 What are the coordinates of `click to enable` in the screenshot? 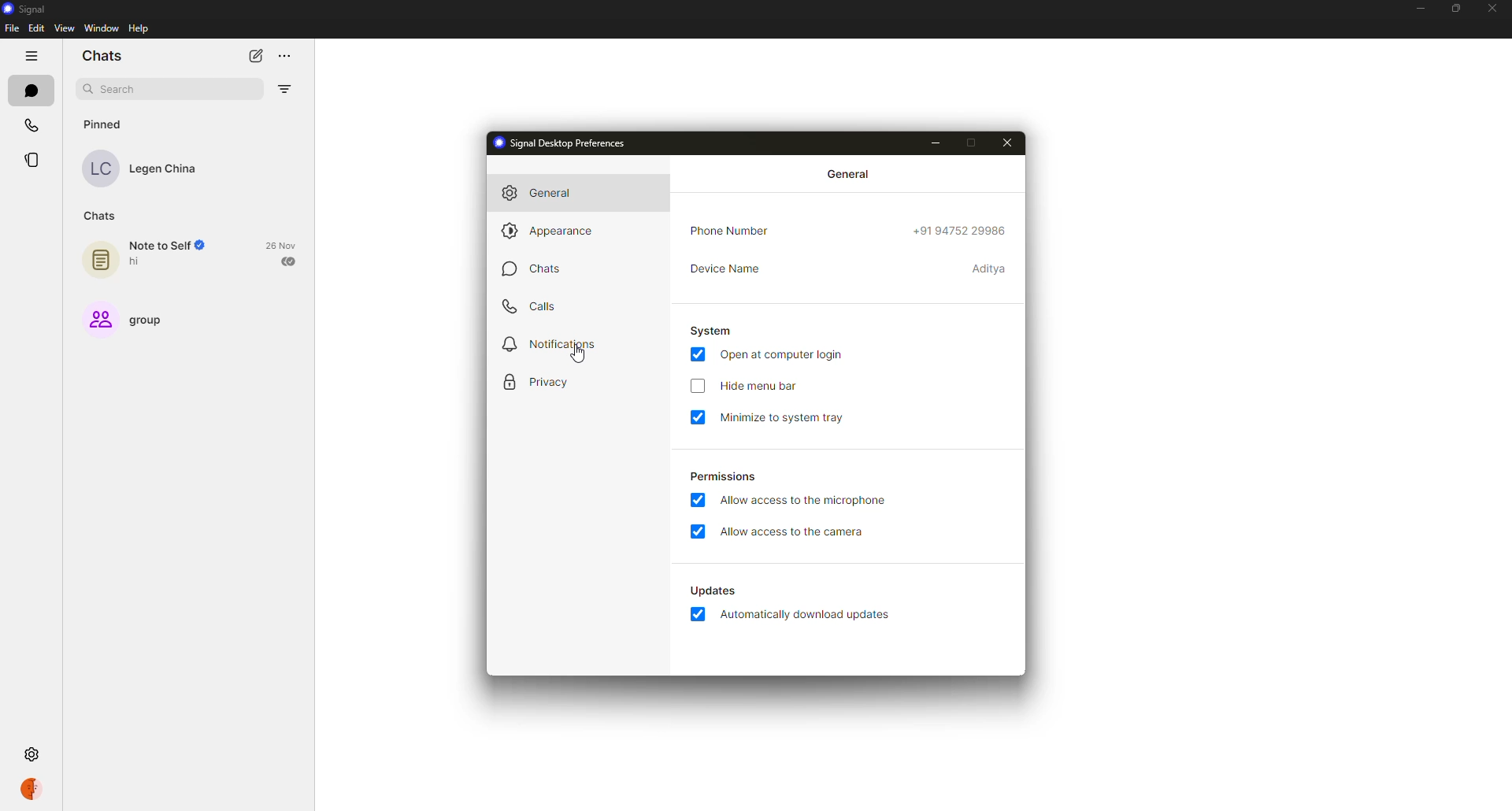 It's located at (697, 387).